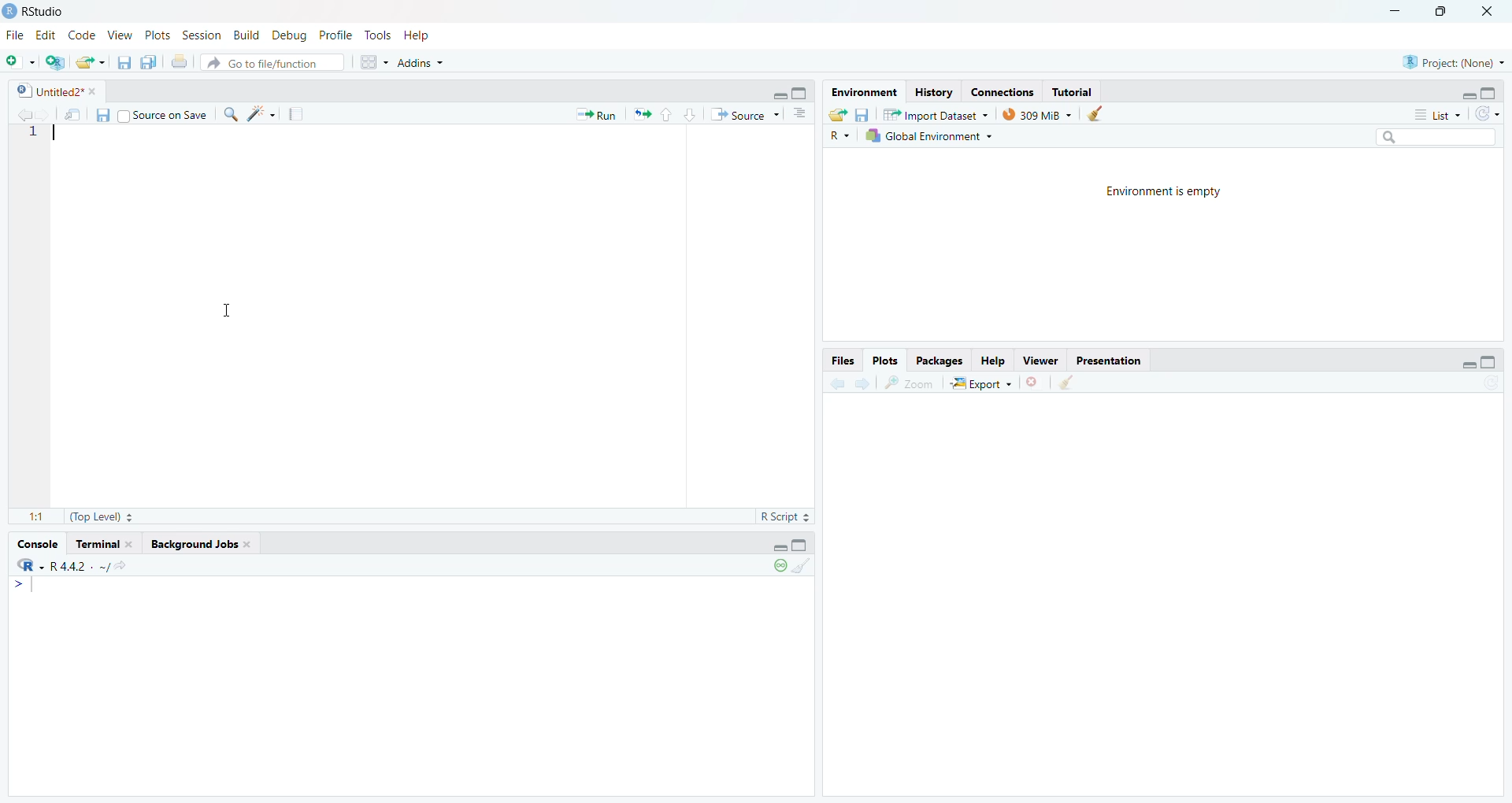 This screenshot has width=1512, height=803. What do you see at coordinates (18, 63) in the screenshot?
I see `add` at bounding box center [18, 63].